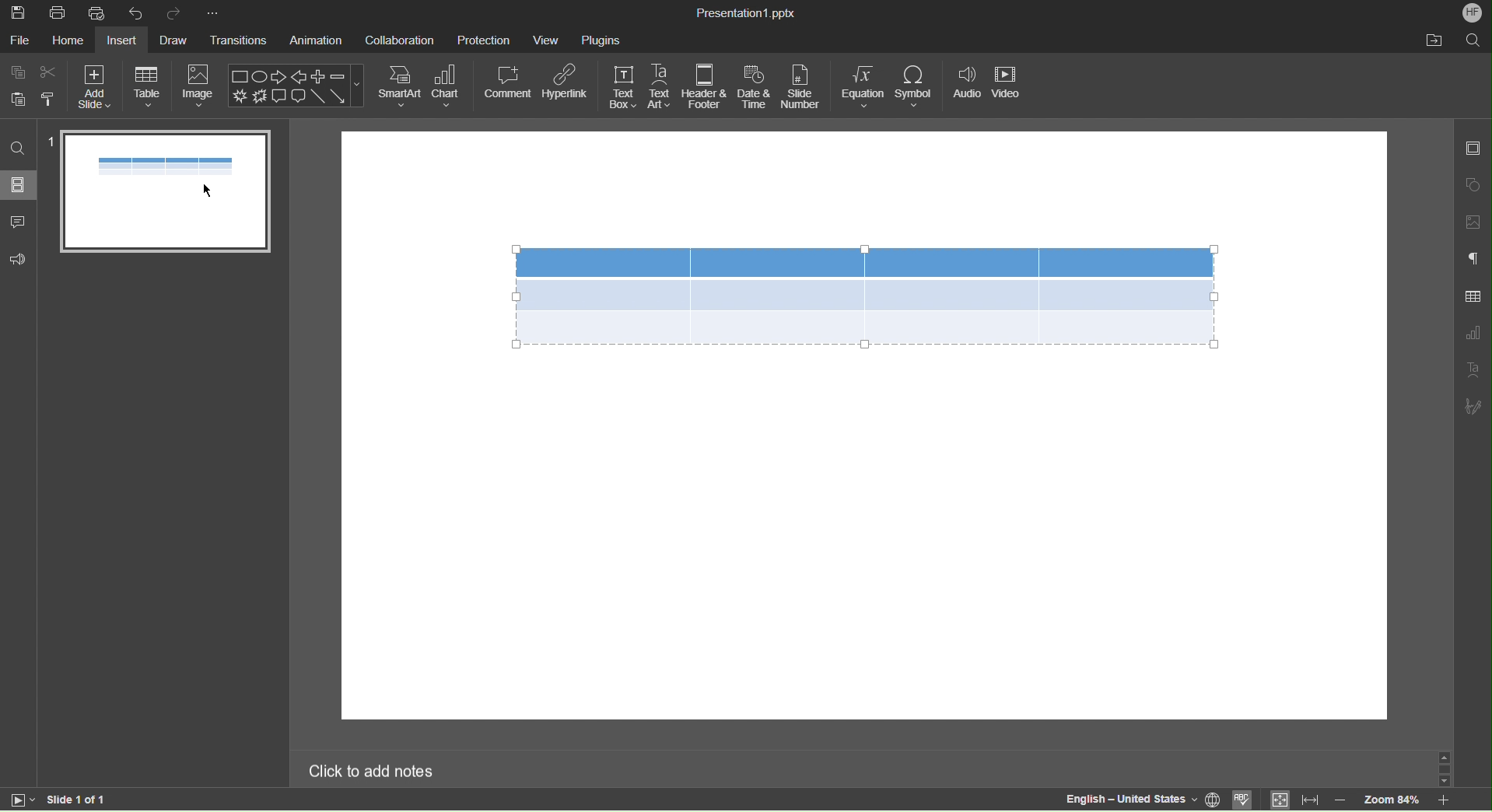 Image resolution: width=1492 pixels, height=812 pixels. I want to click on View, so click(546, 40).